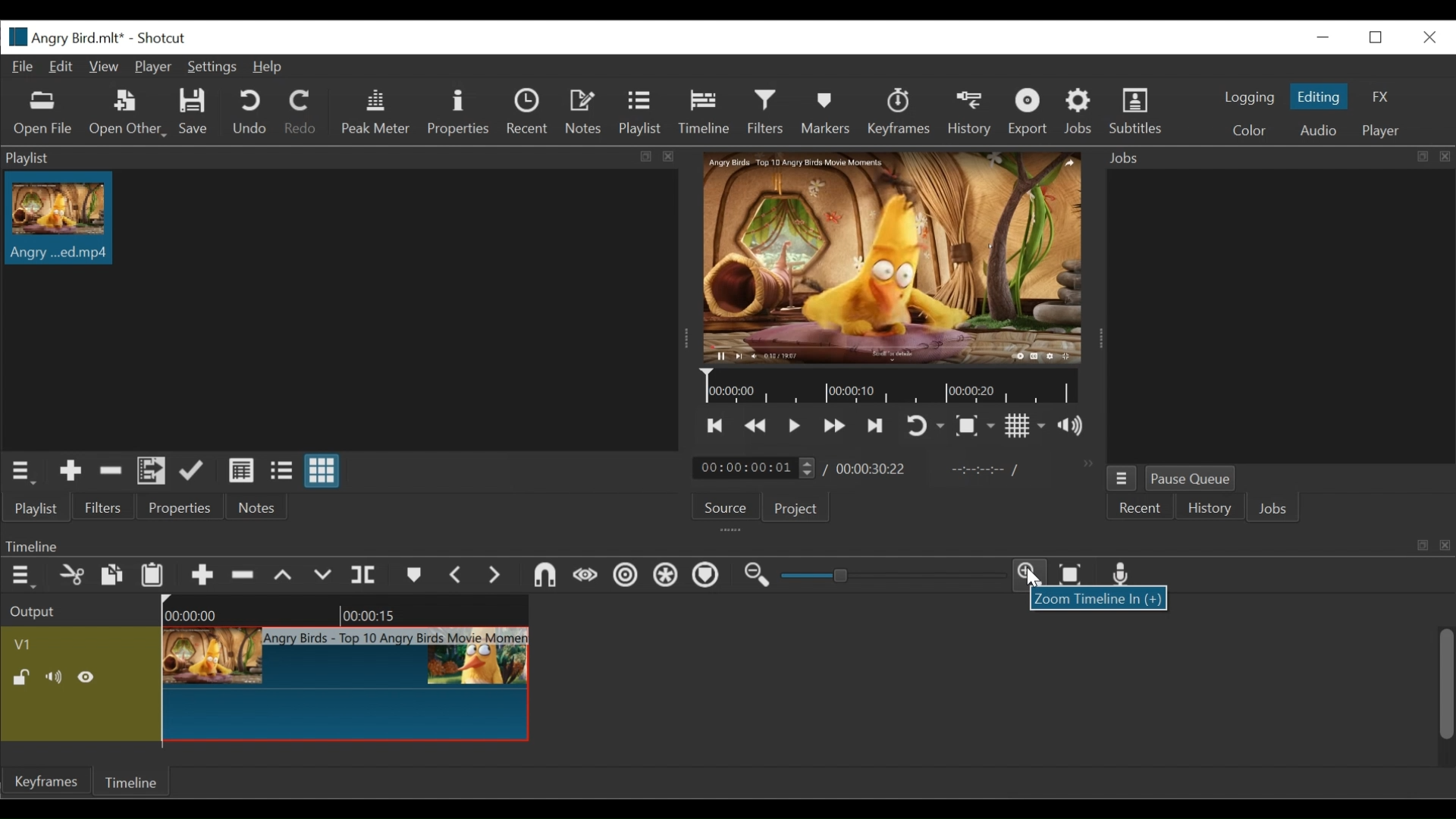 The width and height of the screenshot is (1456, 819). Describe the element at coordinates (825, 113) in the screenshot. I see `Markers` at that location.